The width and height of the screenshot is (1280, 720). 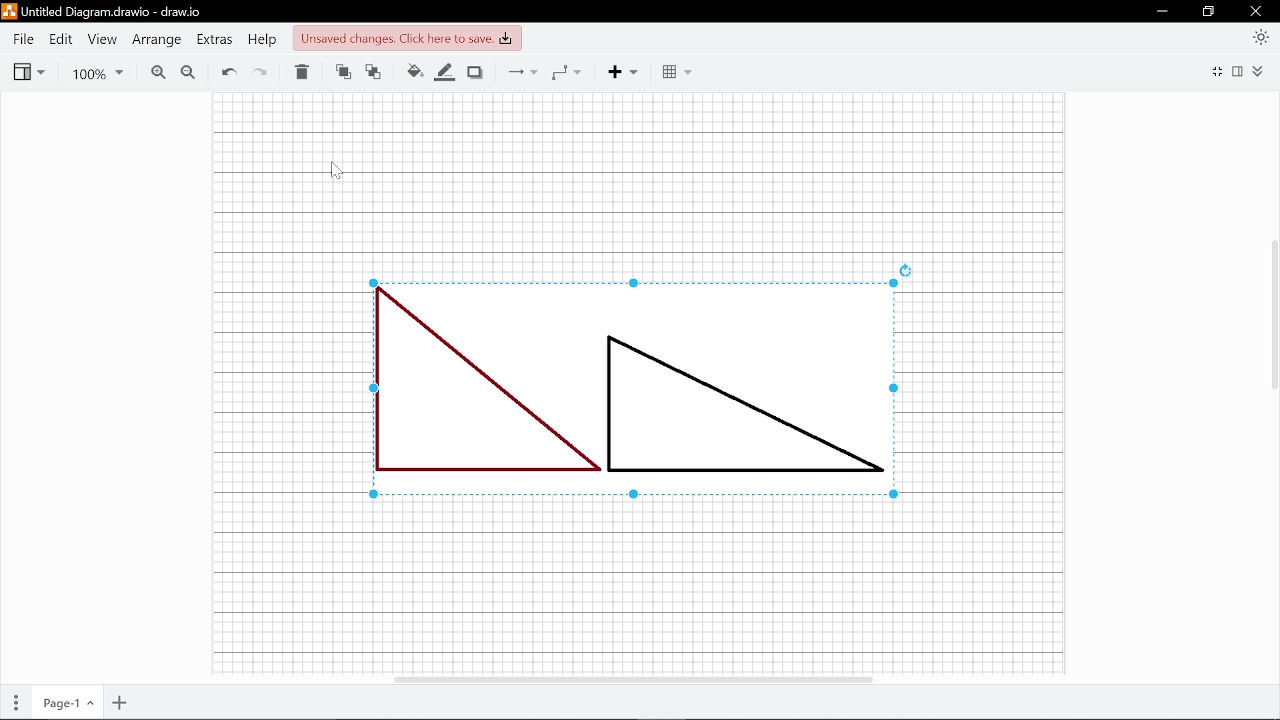 I want to click on Add page, so click(x=120, y=705).